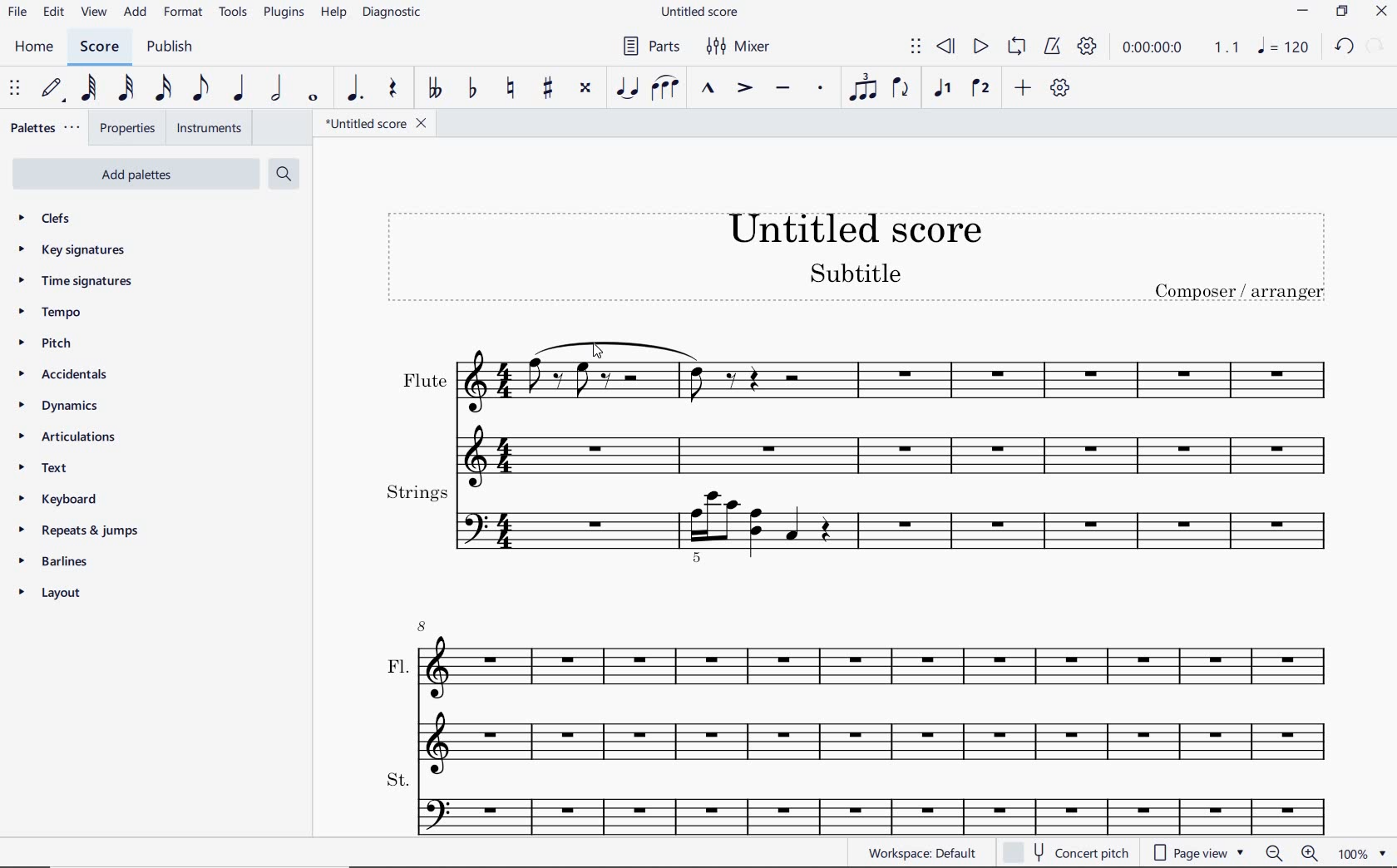  What do you see at coordinates (1294, 853) in the screenshot?
I see `zoom out or zoom in` at bounding box center [1294, 853].